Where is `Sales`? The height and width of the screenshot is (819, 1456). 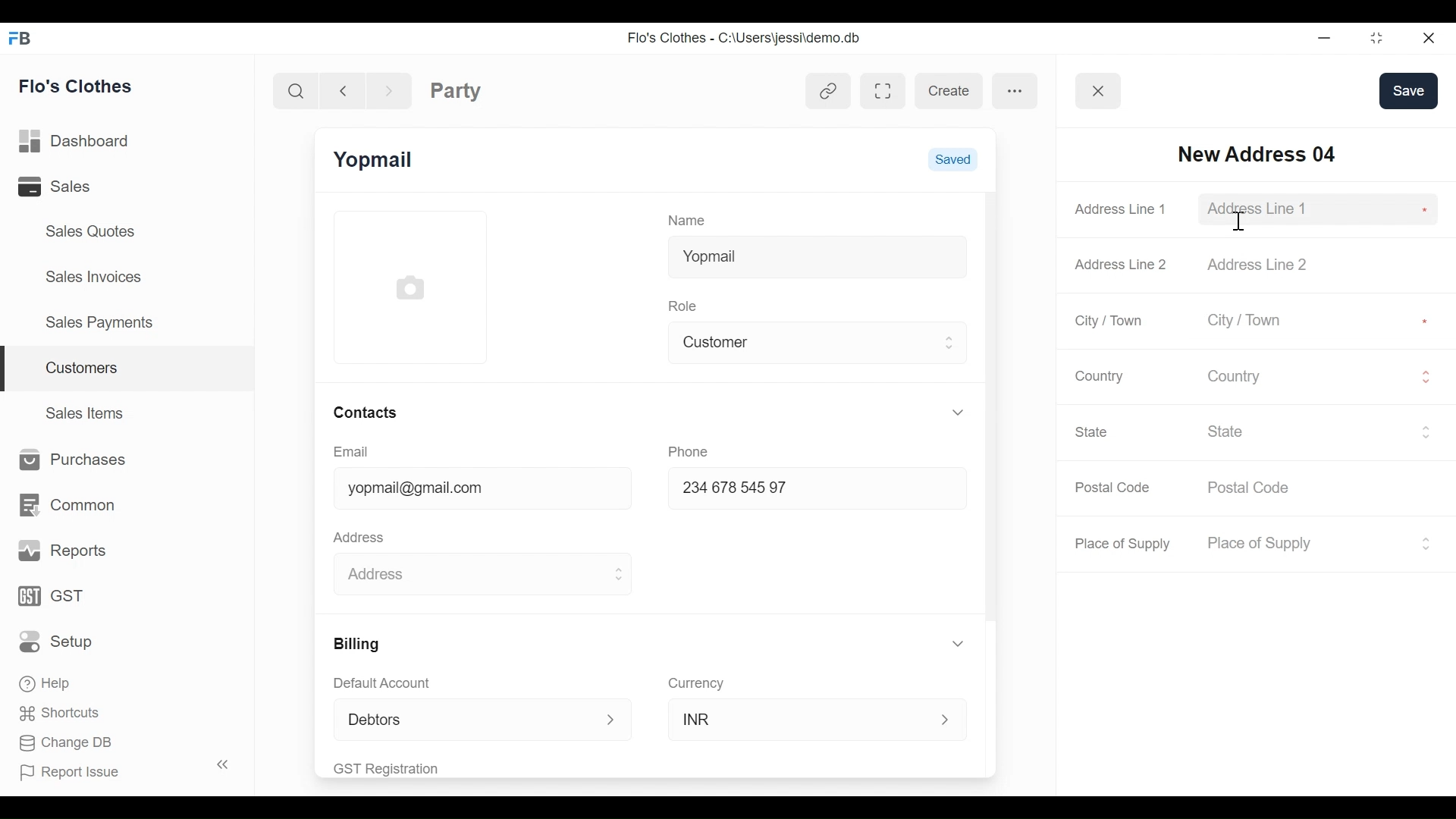
Sales is located at coordinates (75, 186).